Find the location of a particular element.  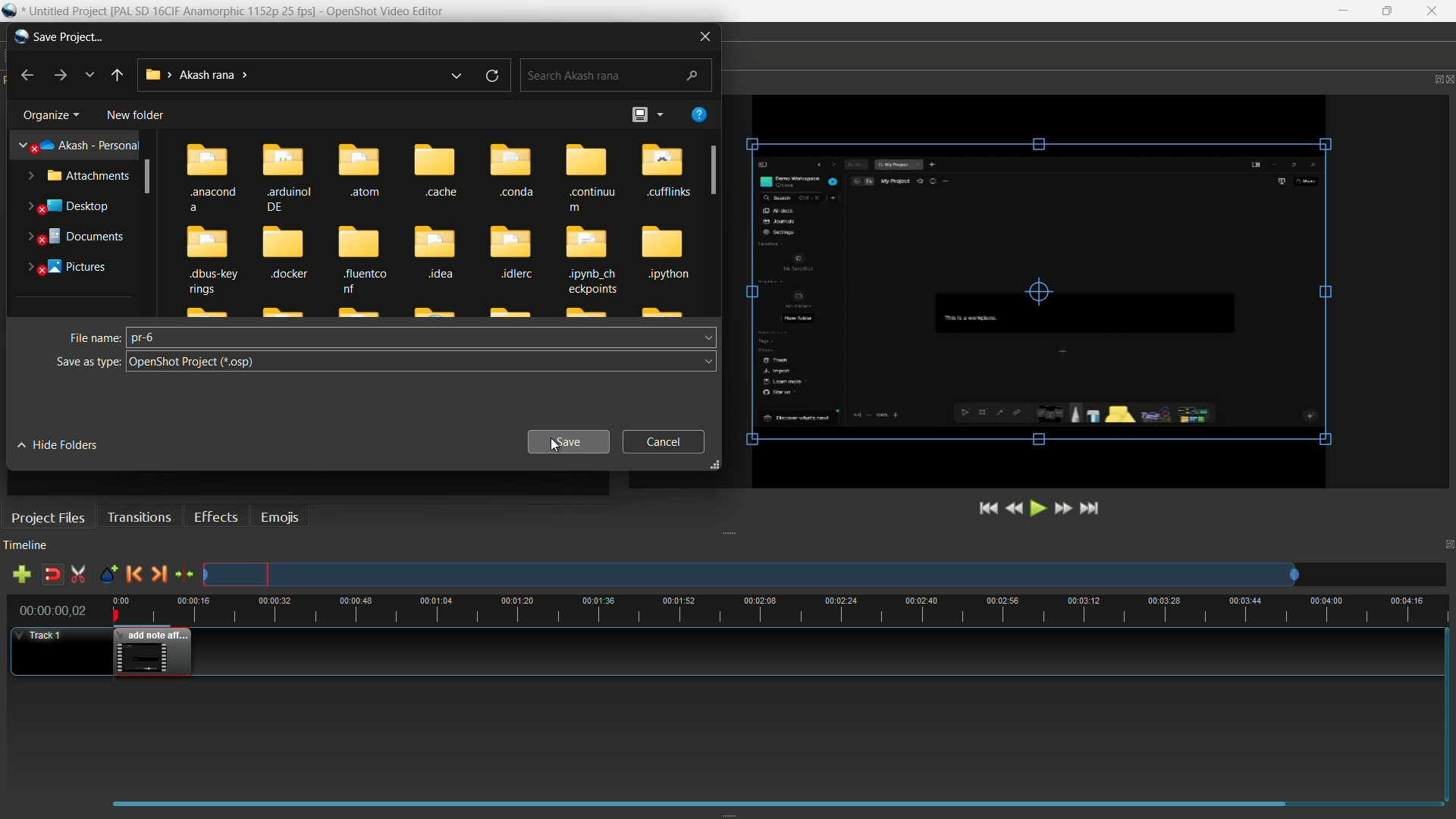

save project is located at coordinates (69, 37).